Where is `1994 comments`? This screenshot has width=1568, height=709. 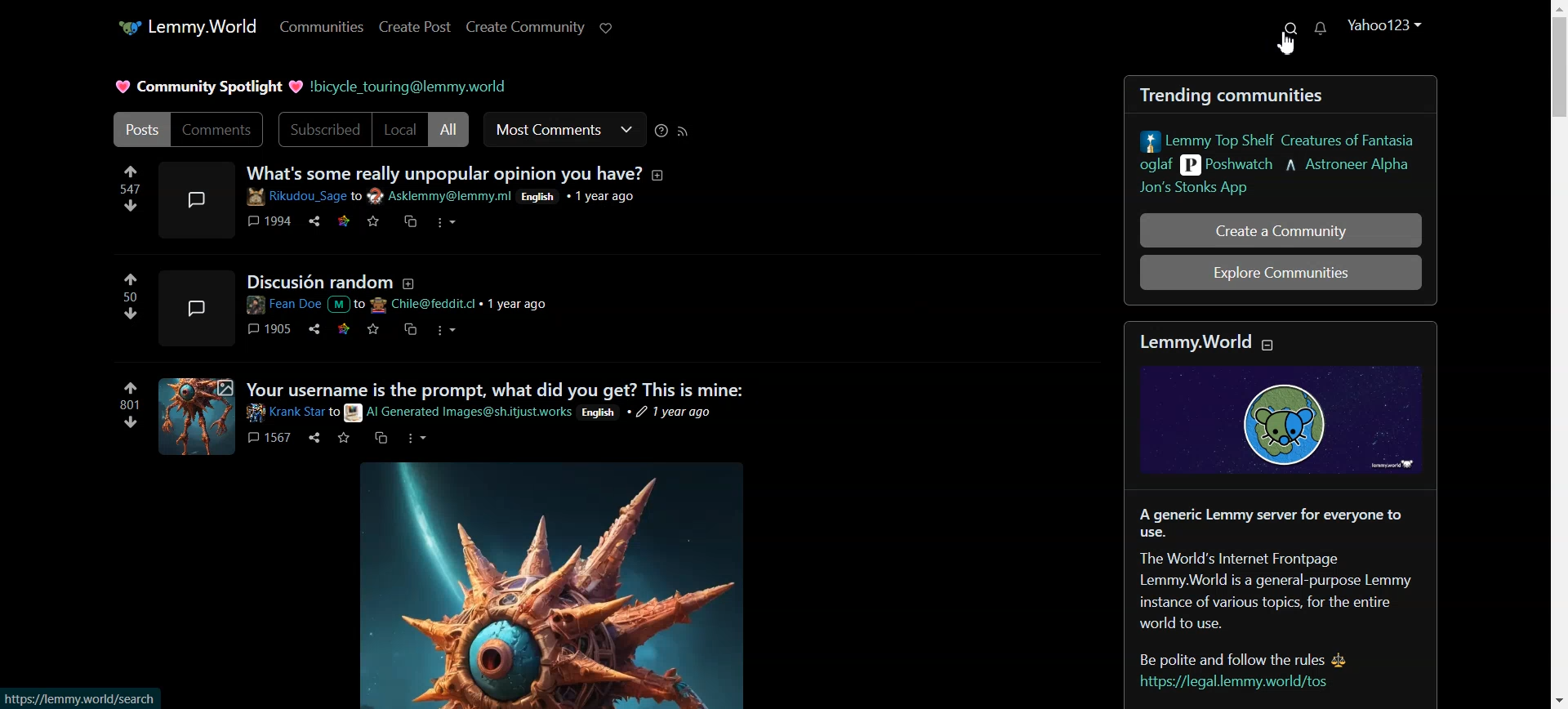 1994 comments is located at coordinates (269, 222).